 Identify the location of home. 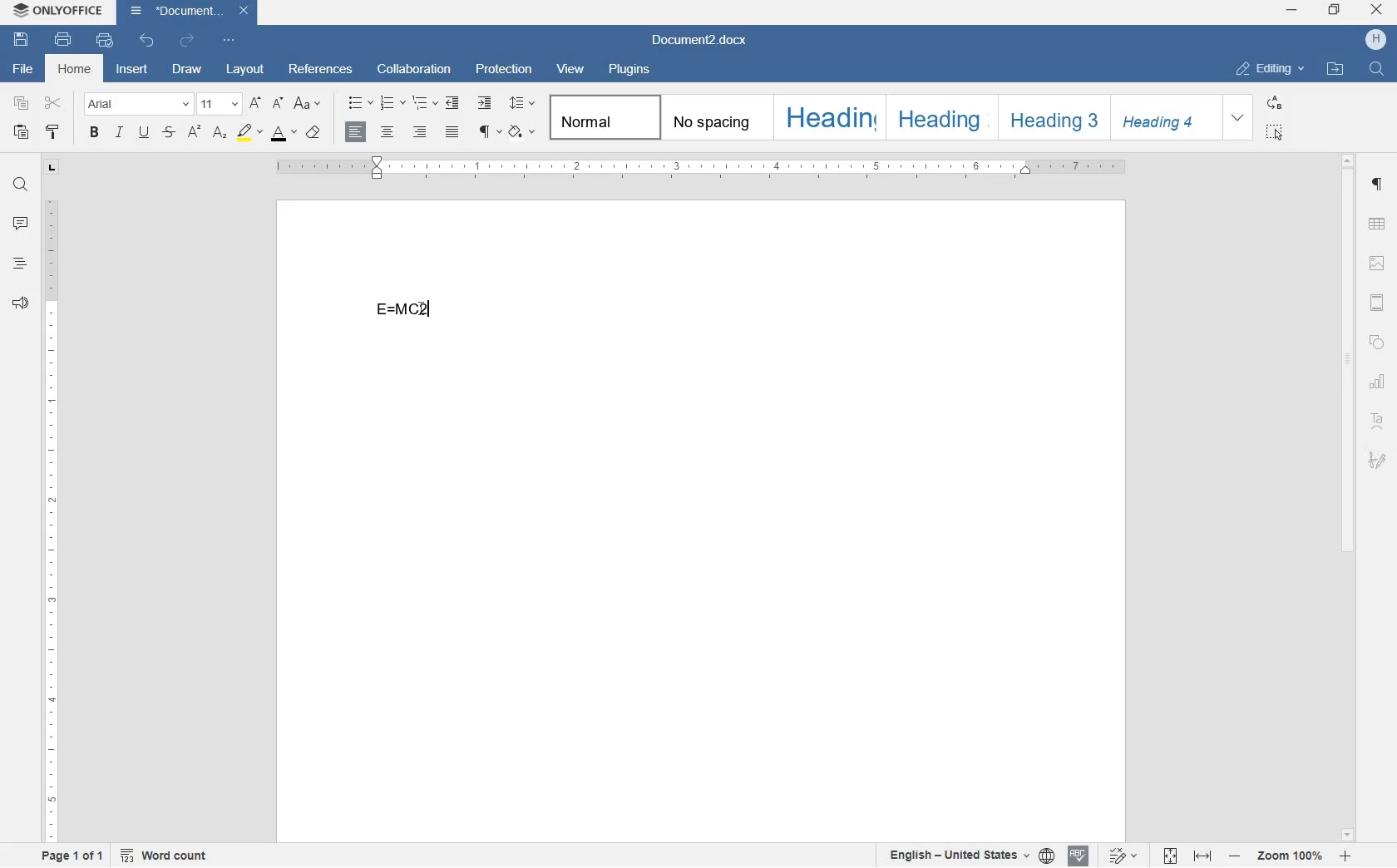
(73, 71).